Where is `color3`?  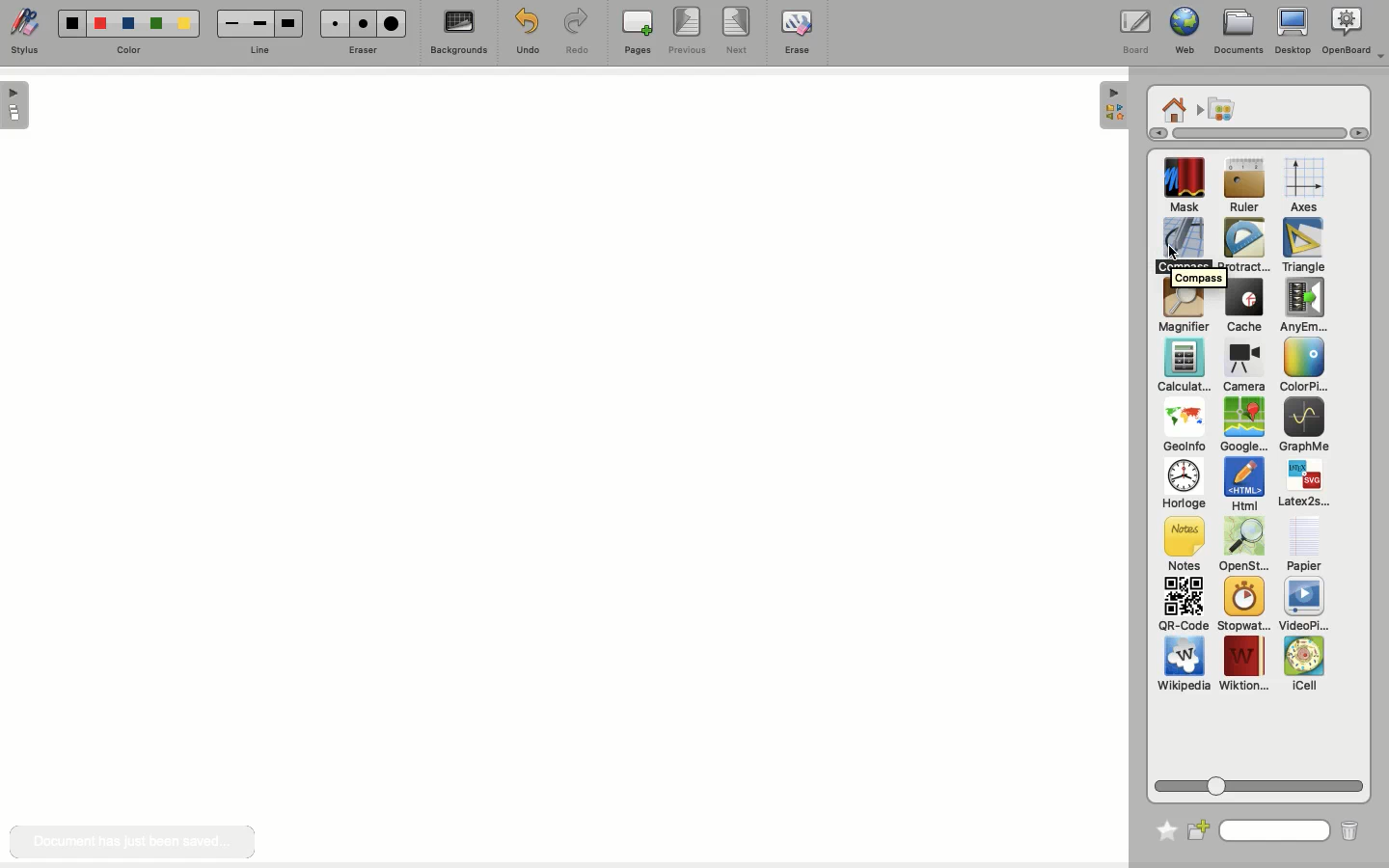 color3 is located at coordinates (127, 24).